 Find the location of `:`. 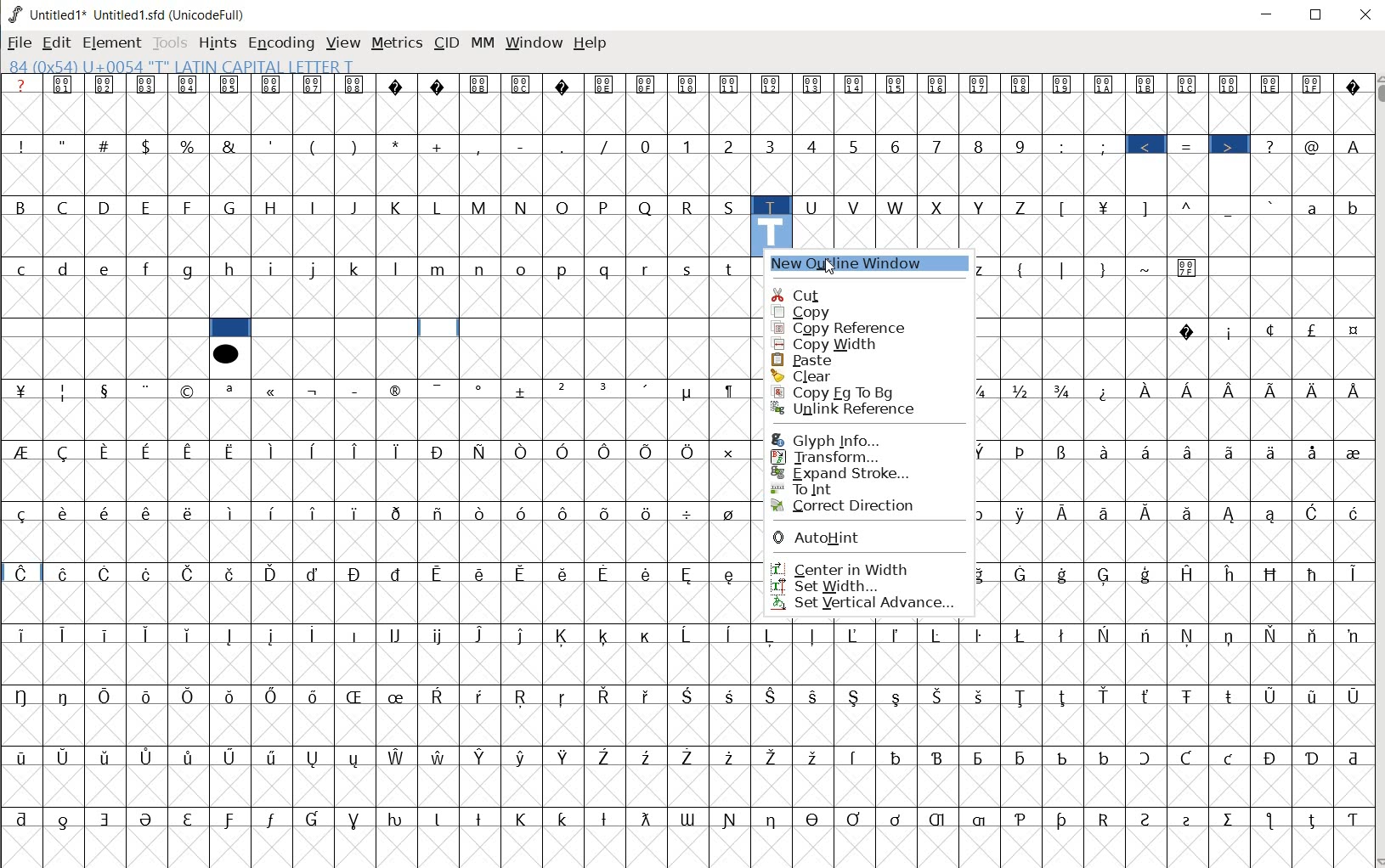

: is located at coordinates (1063, 145).